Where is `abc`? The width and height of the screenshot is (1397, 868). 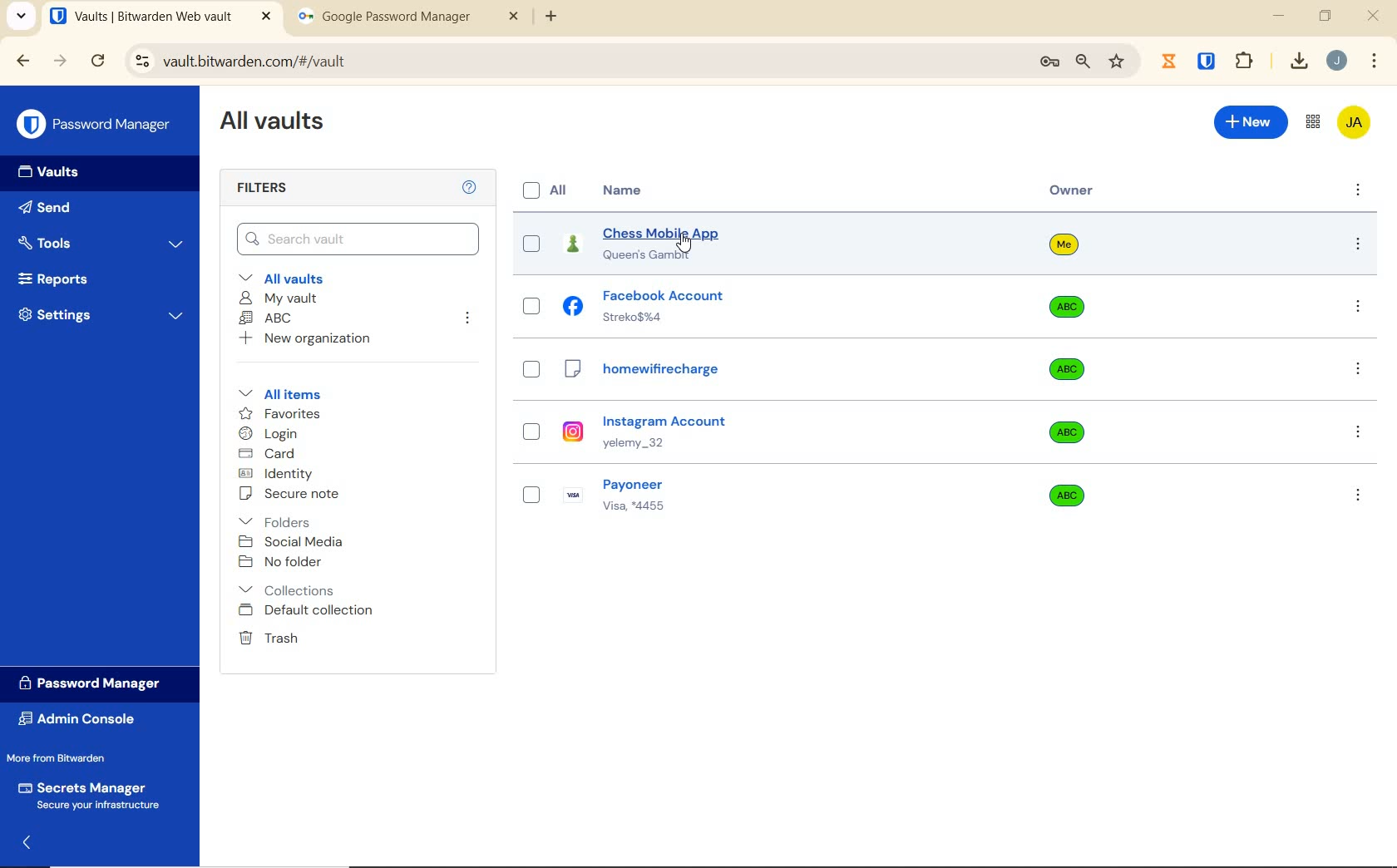
abc is located at coordinates (1061, 488).